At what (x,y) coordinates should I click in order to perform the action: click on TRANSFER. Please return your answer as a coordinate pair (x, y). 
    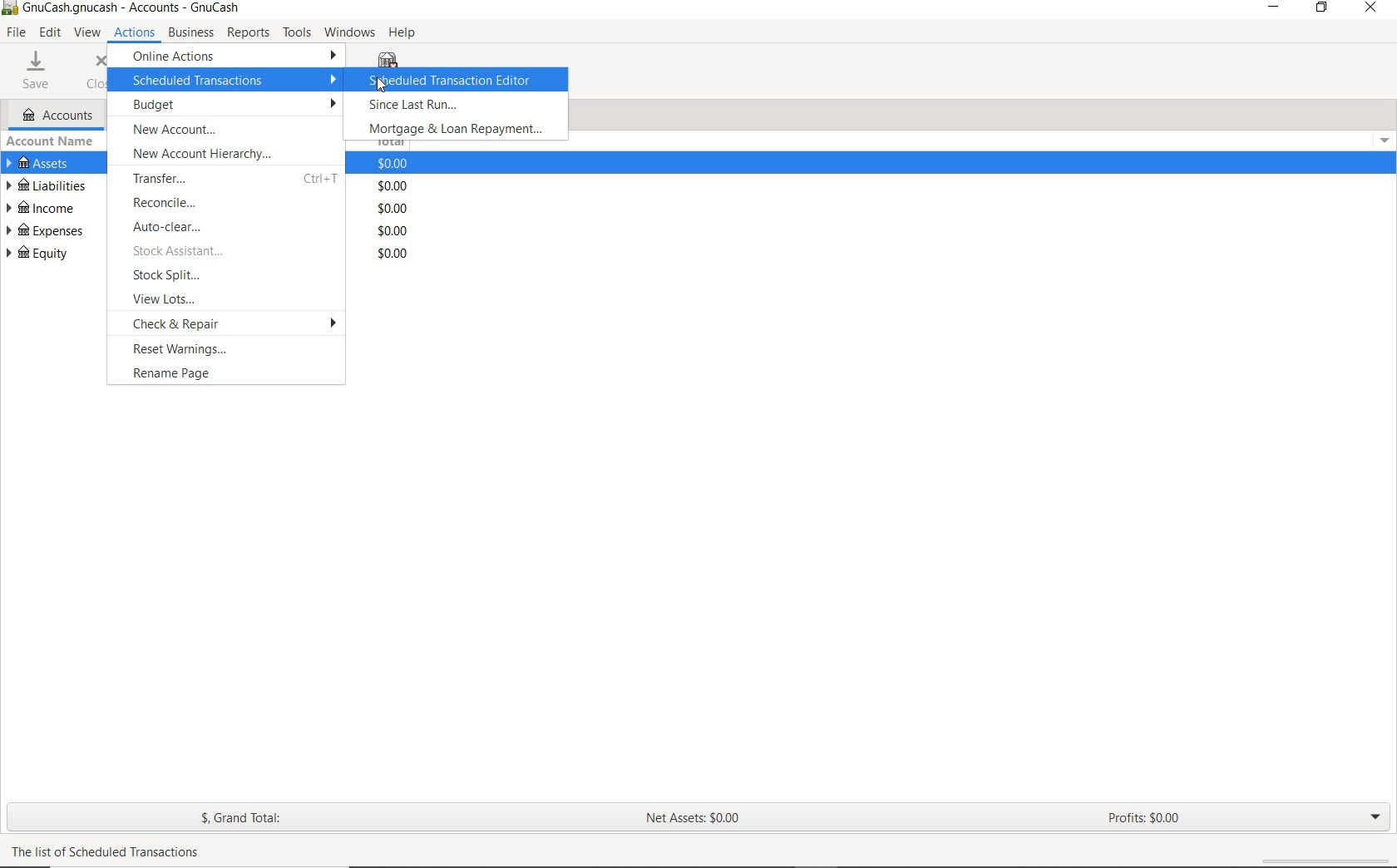
    Looking at the image, I should click on (230, 177).